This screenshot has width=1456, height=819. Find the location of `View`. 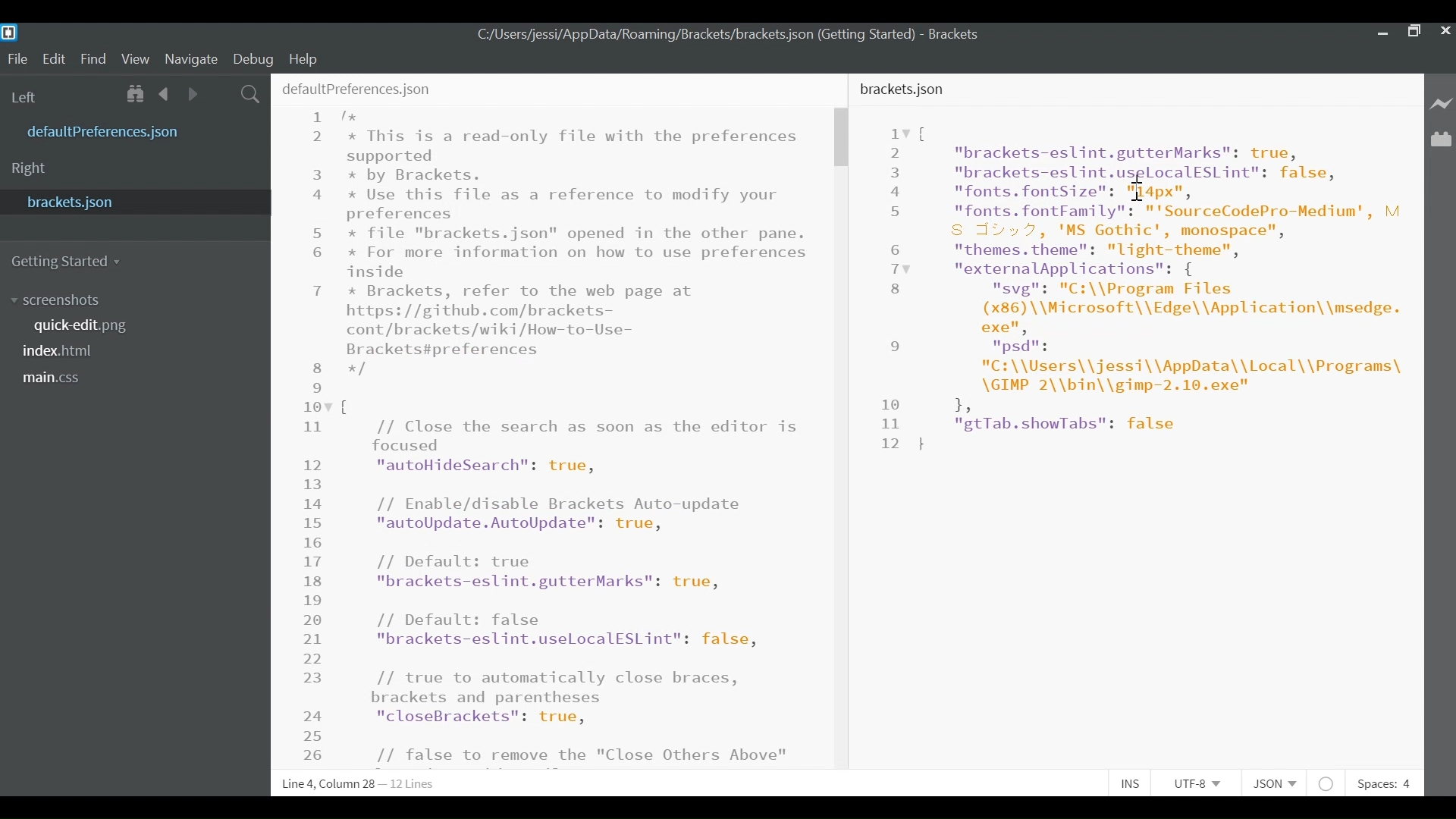

View is located at coordinates (136, 60).